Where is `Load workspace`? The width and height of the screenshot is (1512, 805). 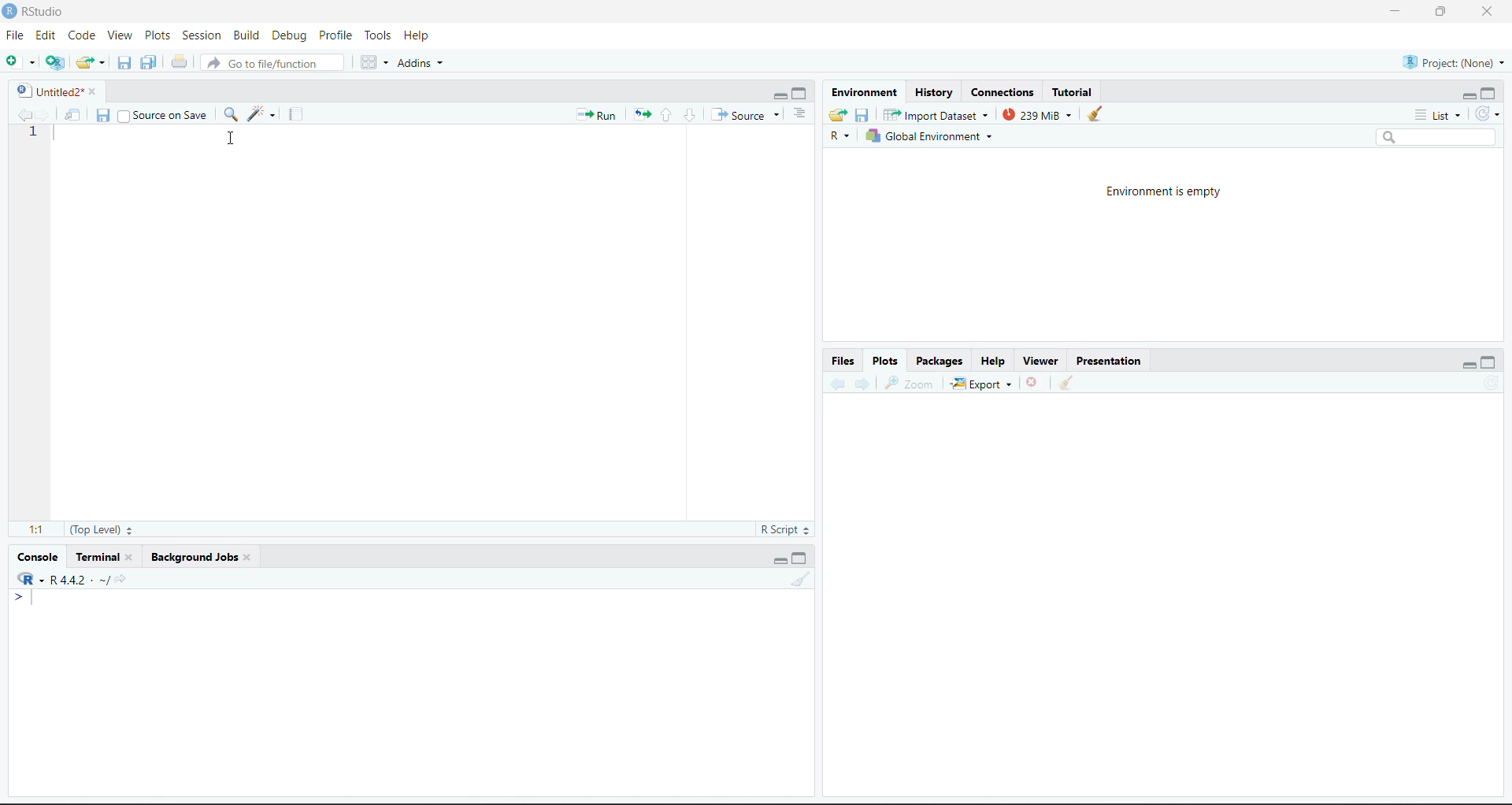
Load workspace is located at coordinates (838, 117).